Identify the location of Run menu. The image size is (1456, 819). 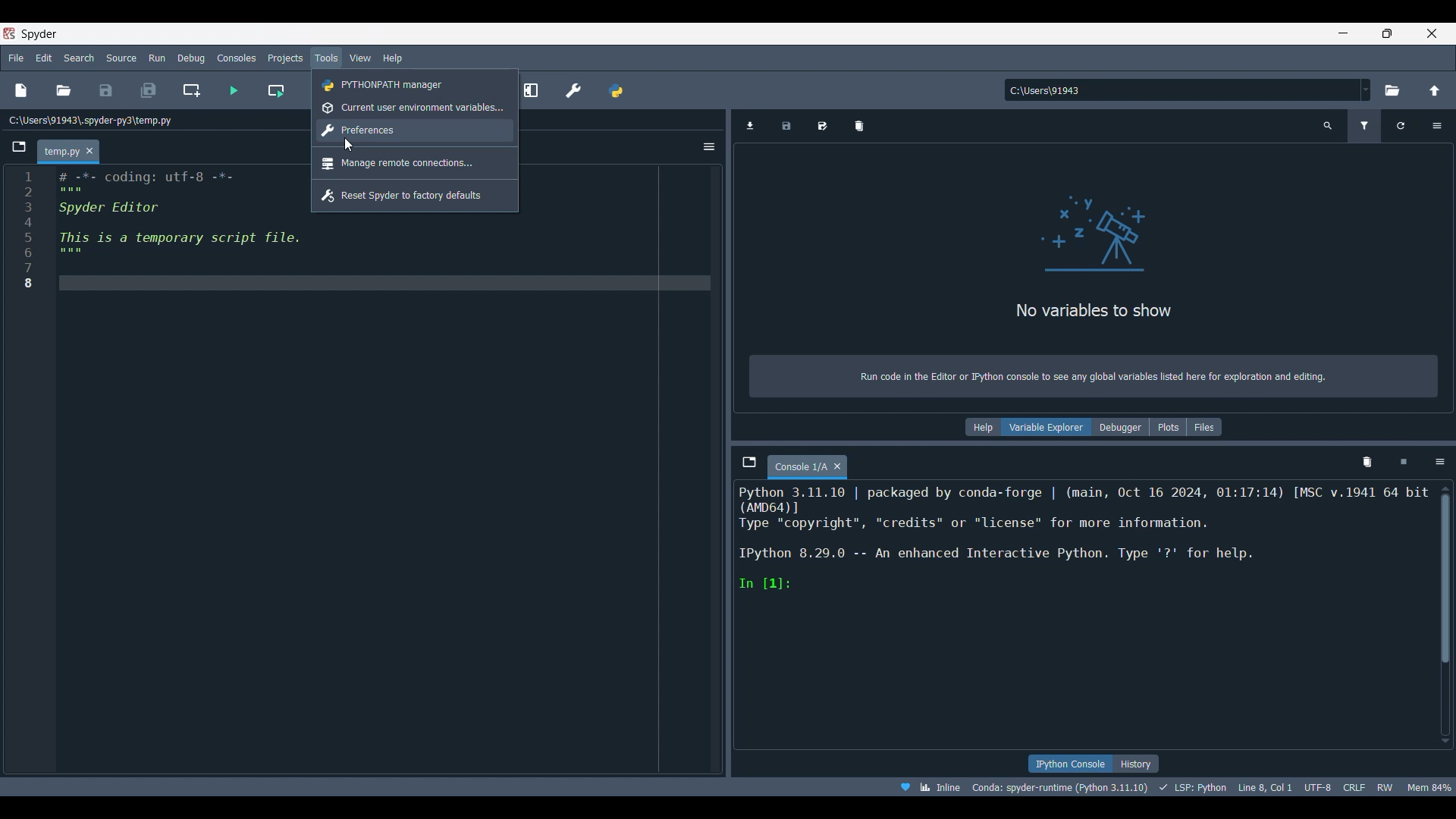
(157, 58).